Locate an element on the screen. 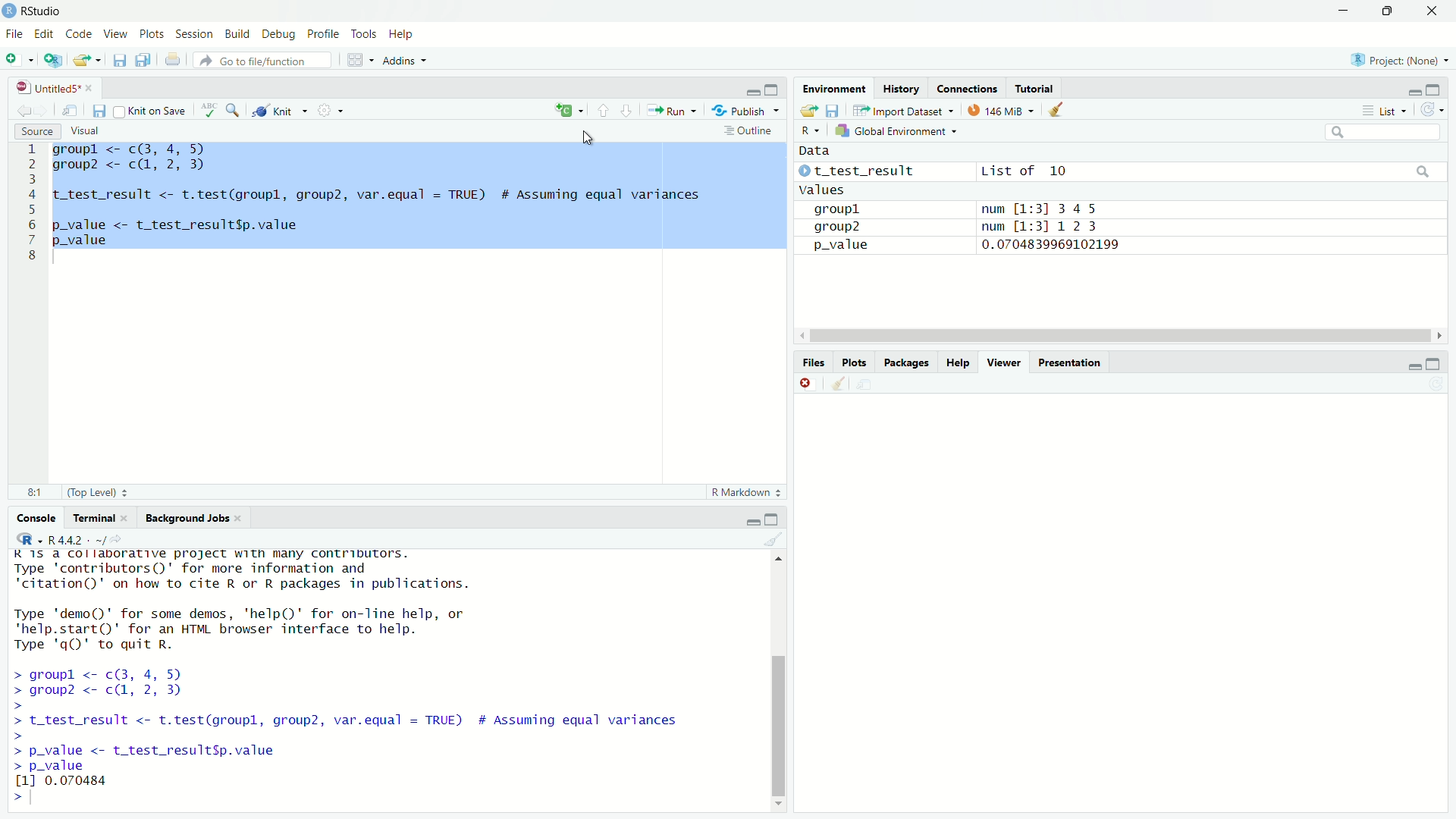 This screenshot has height=819, width=1456. ~~ t_test_result List of 10 is located at coordinates (951, 170).